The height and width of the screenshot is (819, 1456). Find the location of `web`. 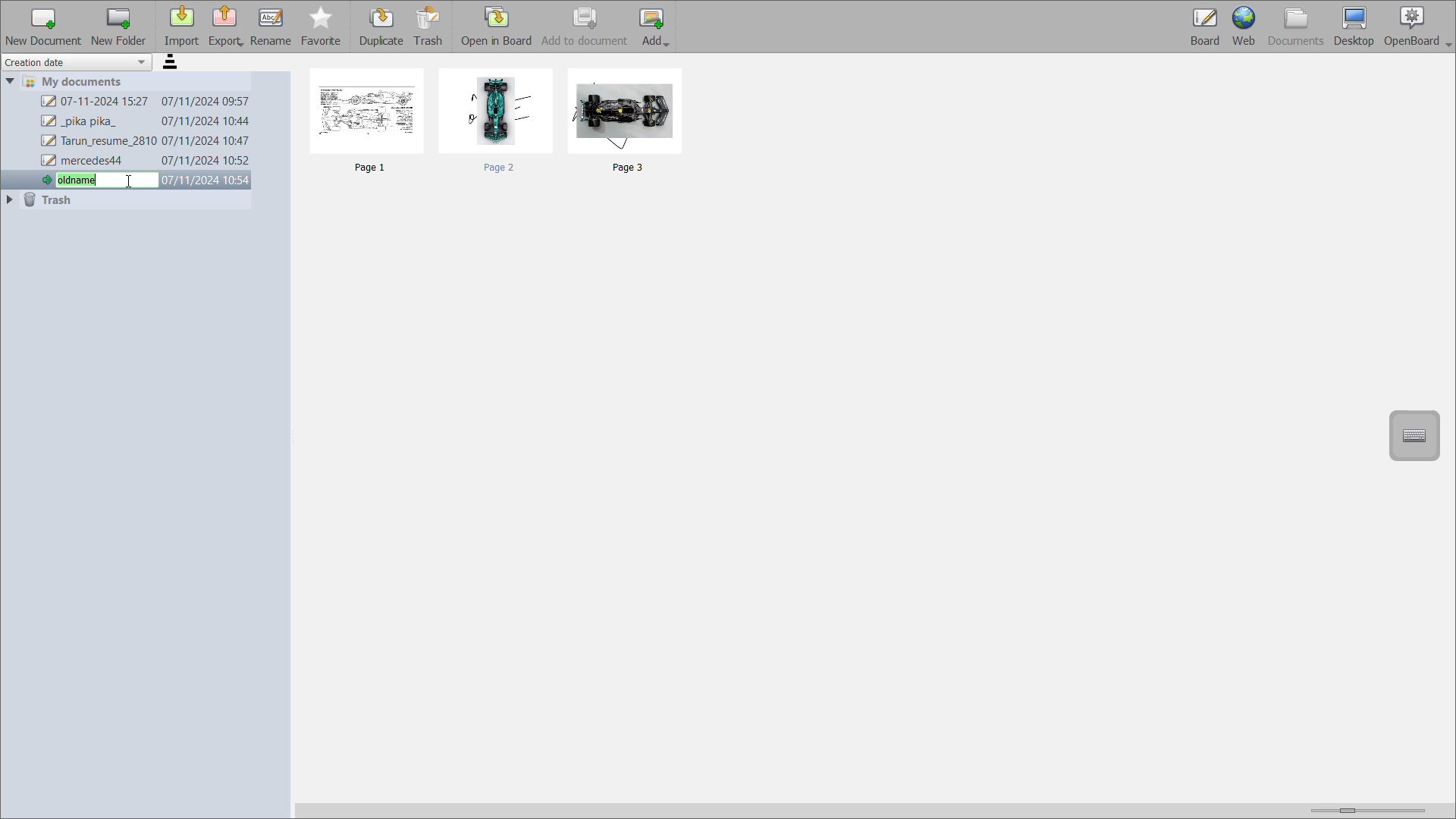

web is located at coordinates (1244, 27).